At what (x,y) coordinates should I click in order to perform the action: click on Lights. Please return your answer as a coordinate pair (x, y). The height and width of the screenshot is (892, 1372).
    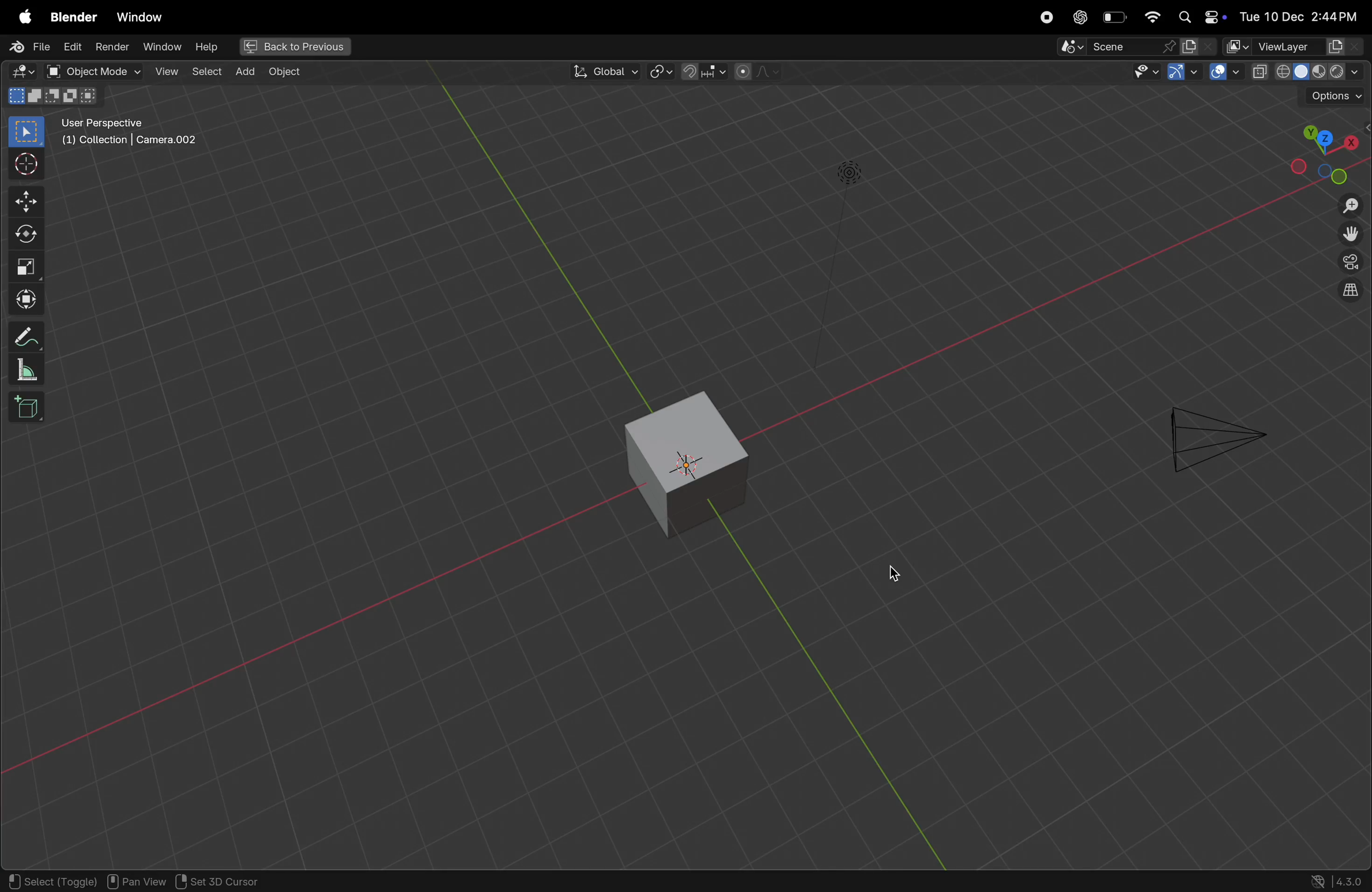
    Looking at the image, I should click on (847, 174).